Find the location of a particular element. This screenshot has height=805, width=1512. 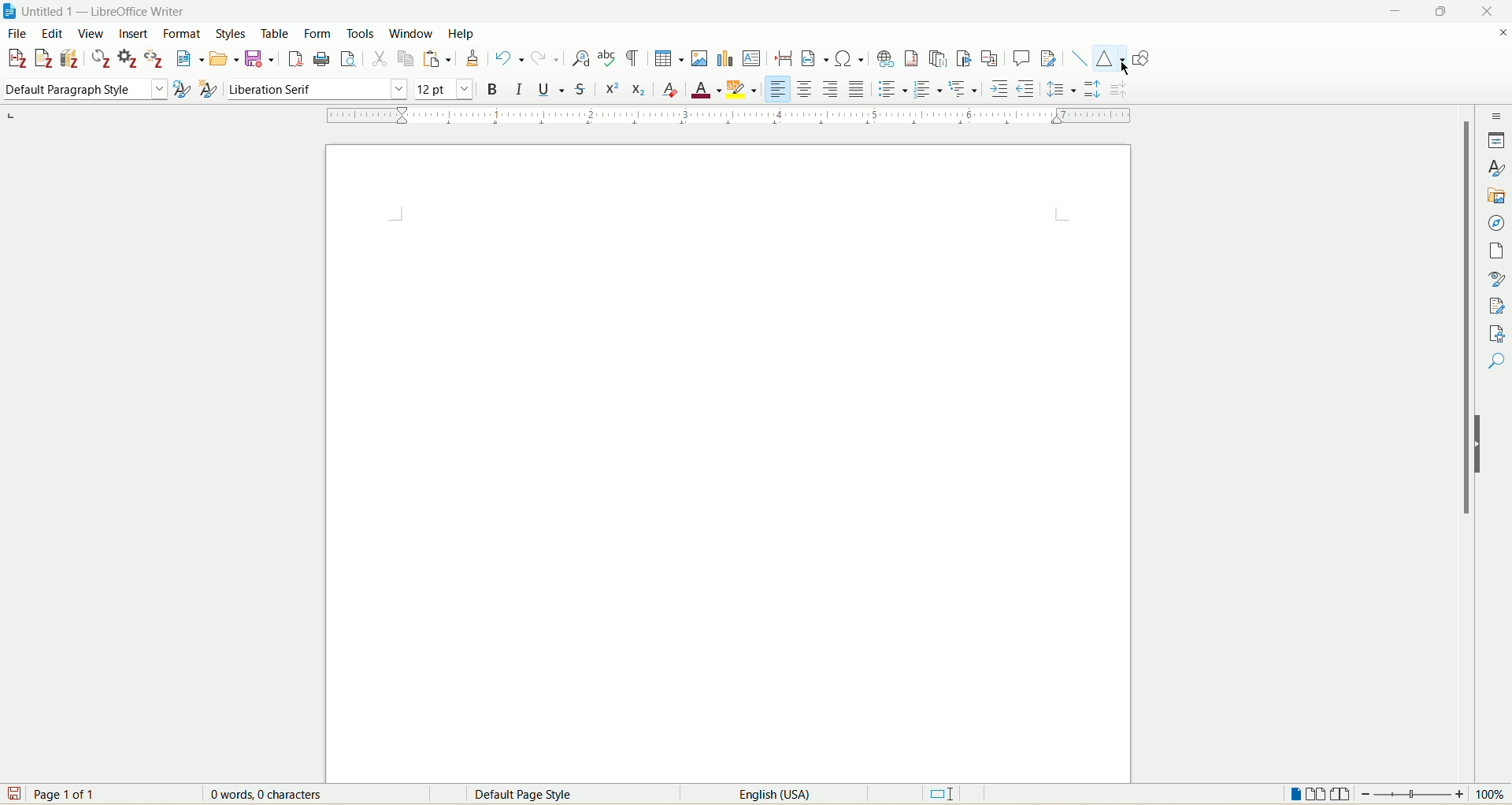

redo is located at coordinates (543, 59).